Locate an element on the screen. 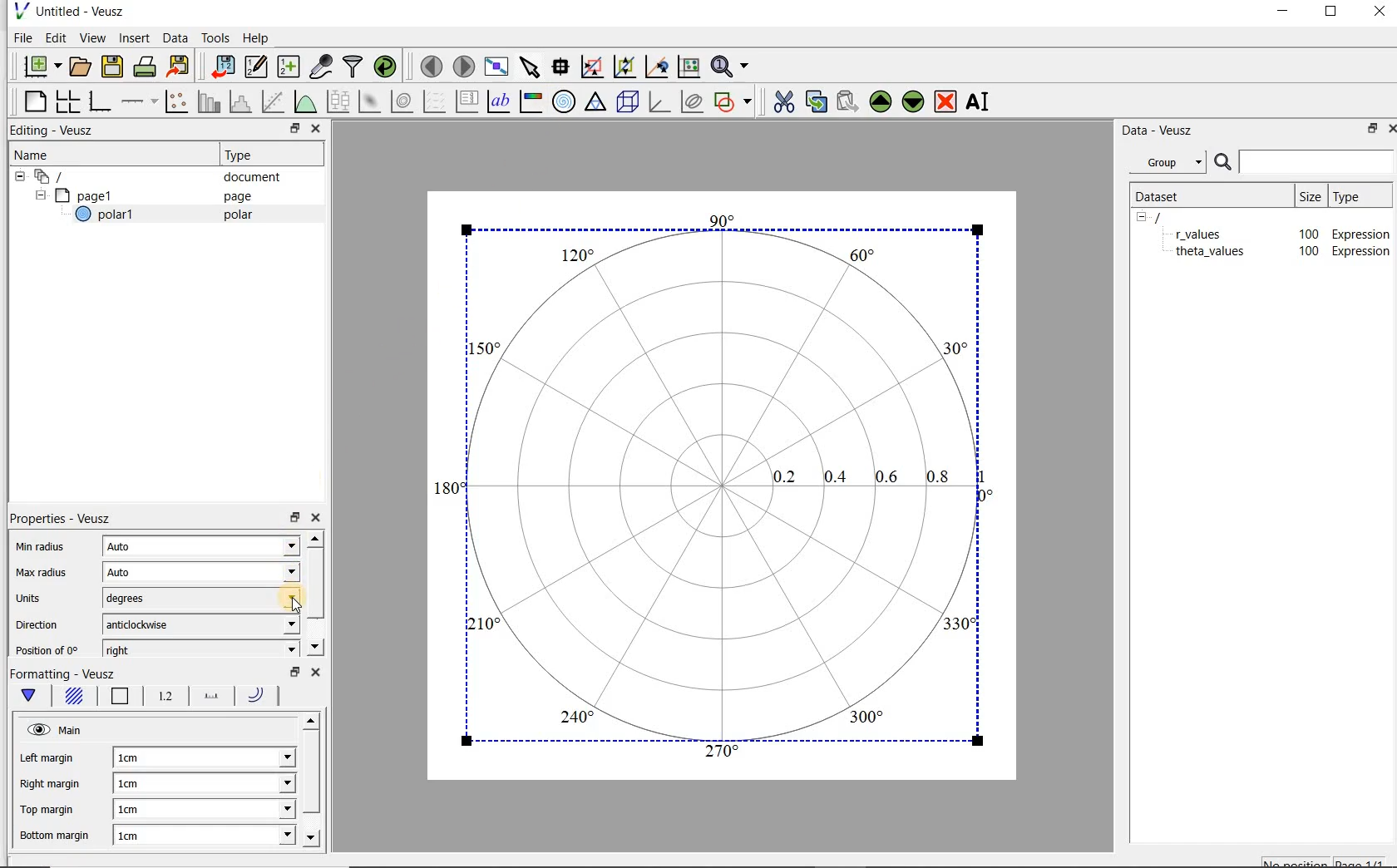 The height and width of the screenshot is (868, 1397). File is located at coordinates (20, 38).